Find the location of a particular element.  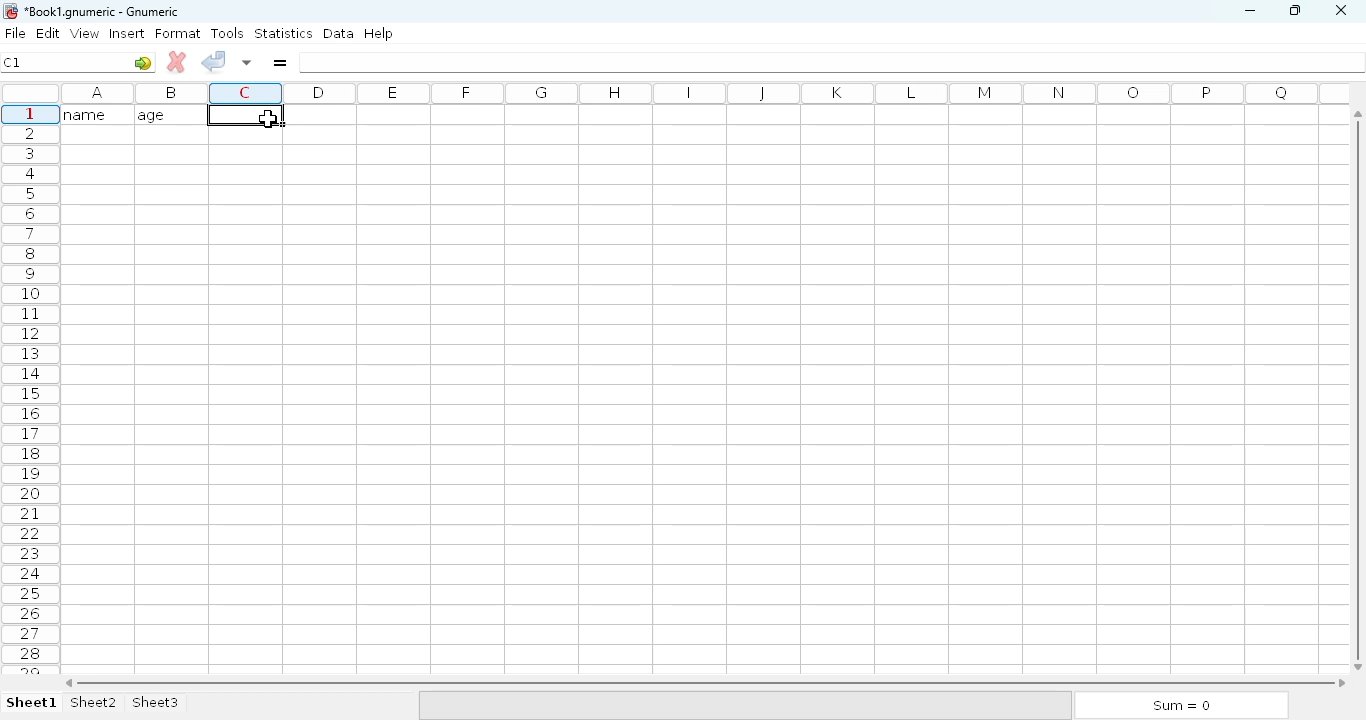

tools is located at coordinates (227, 33).